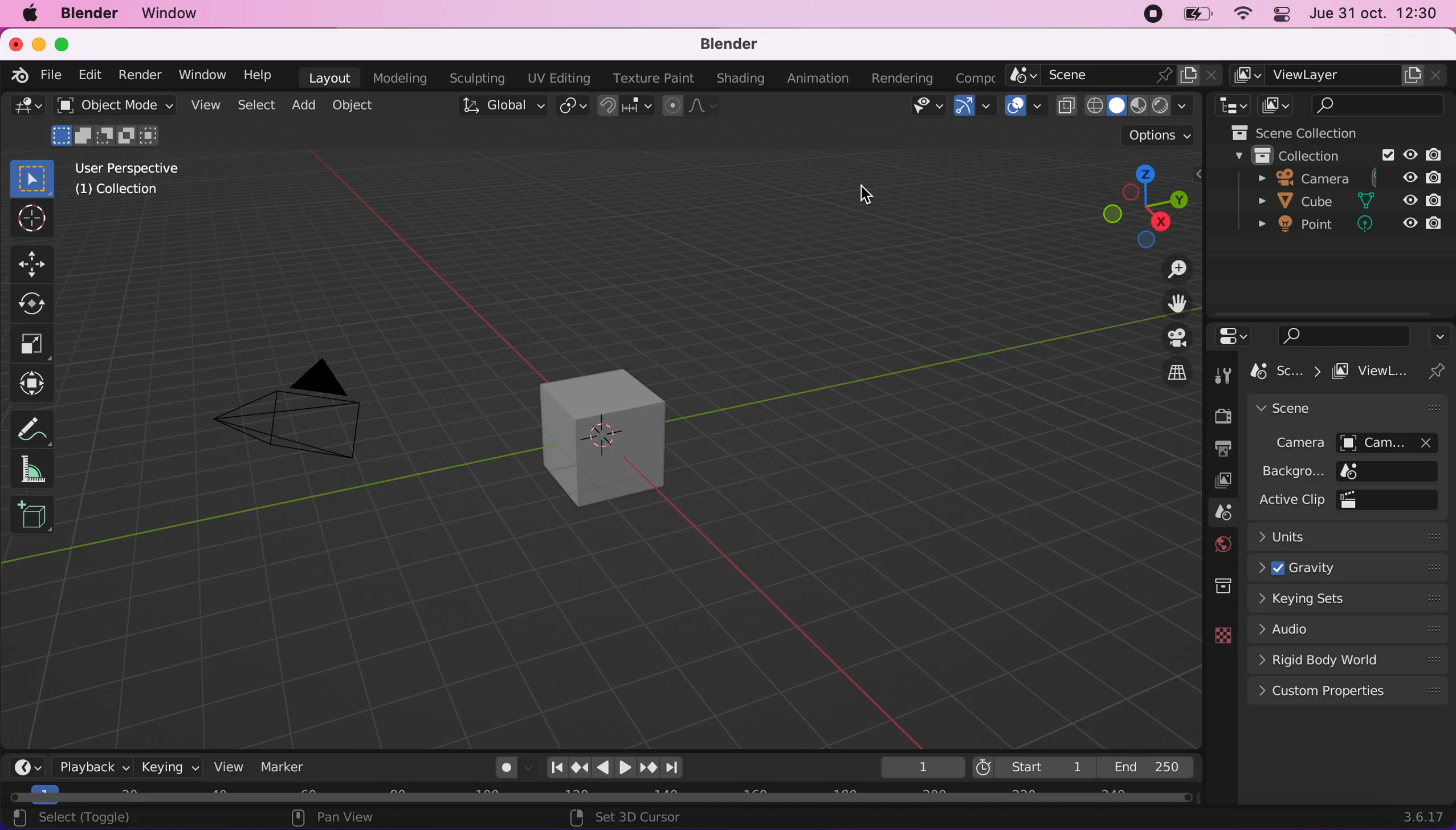 This screenshot has width=1456, height=830. Describe the element at coordinates (1344, 661) in the screenshot. I see `rigid body world` at that location.